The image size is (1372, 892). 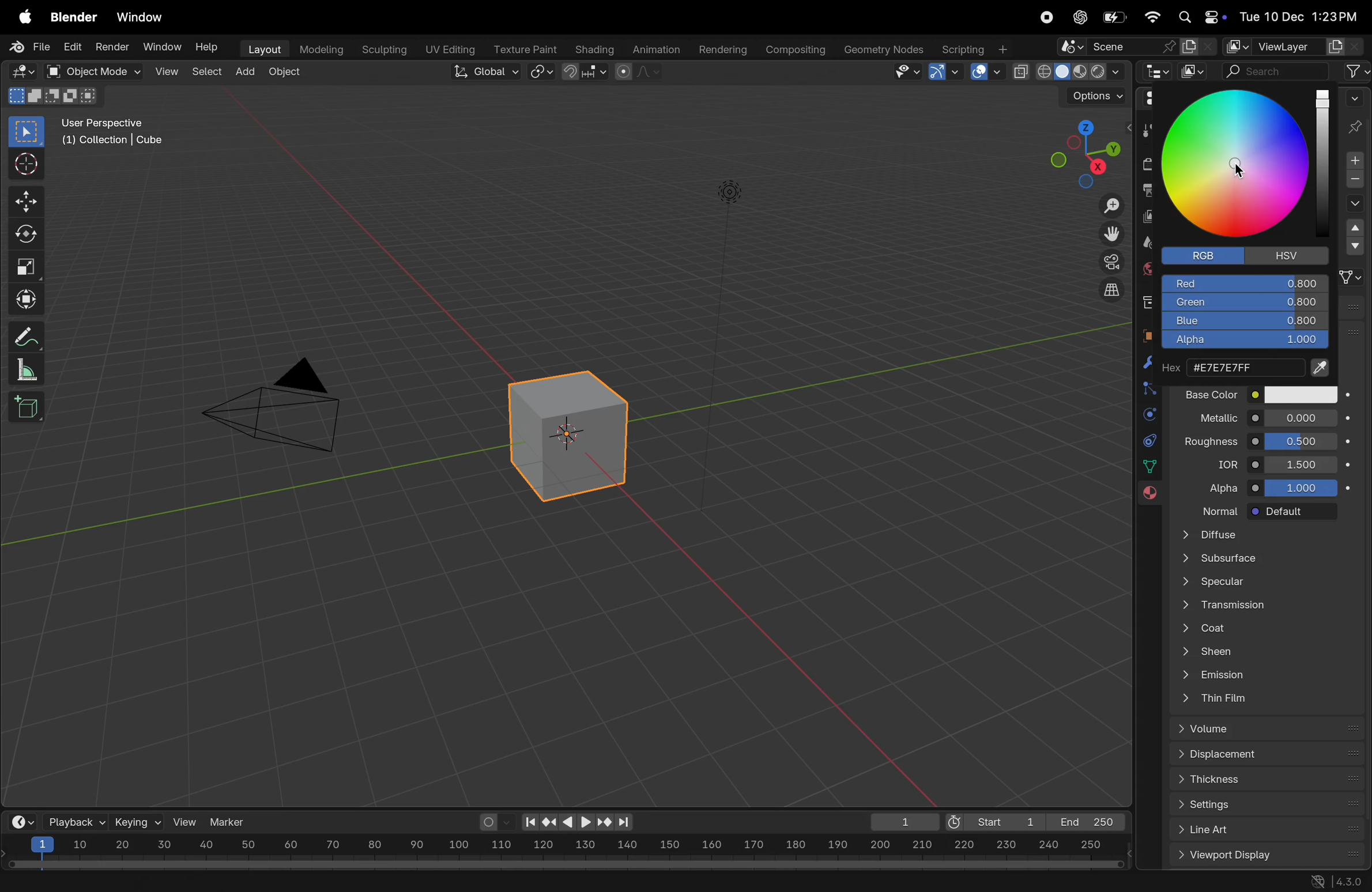 What do you see at coordinates (578, 823) in the screenshot?
I see `play back controls` at bounding box center [578, 823].